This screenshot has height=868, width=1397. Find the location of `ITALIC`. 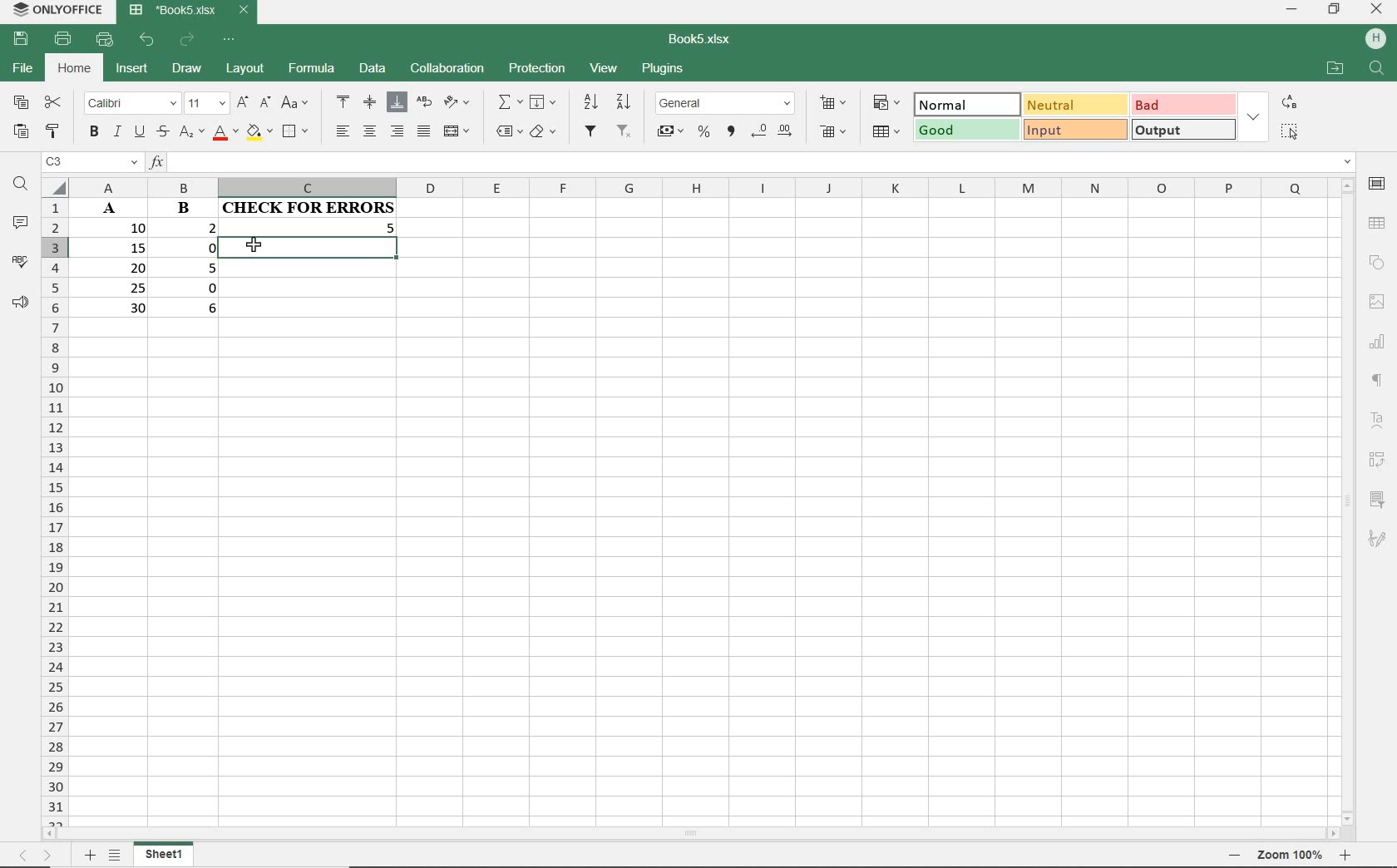

ITALIC is located at coordinates (116, 133).